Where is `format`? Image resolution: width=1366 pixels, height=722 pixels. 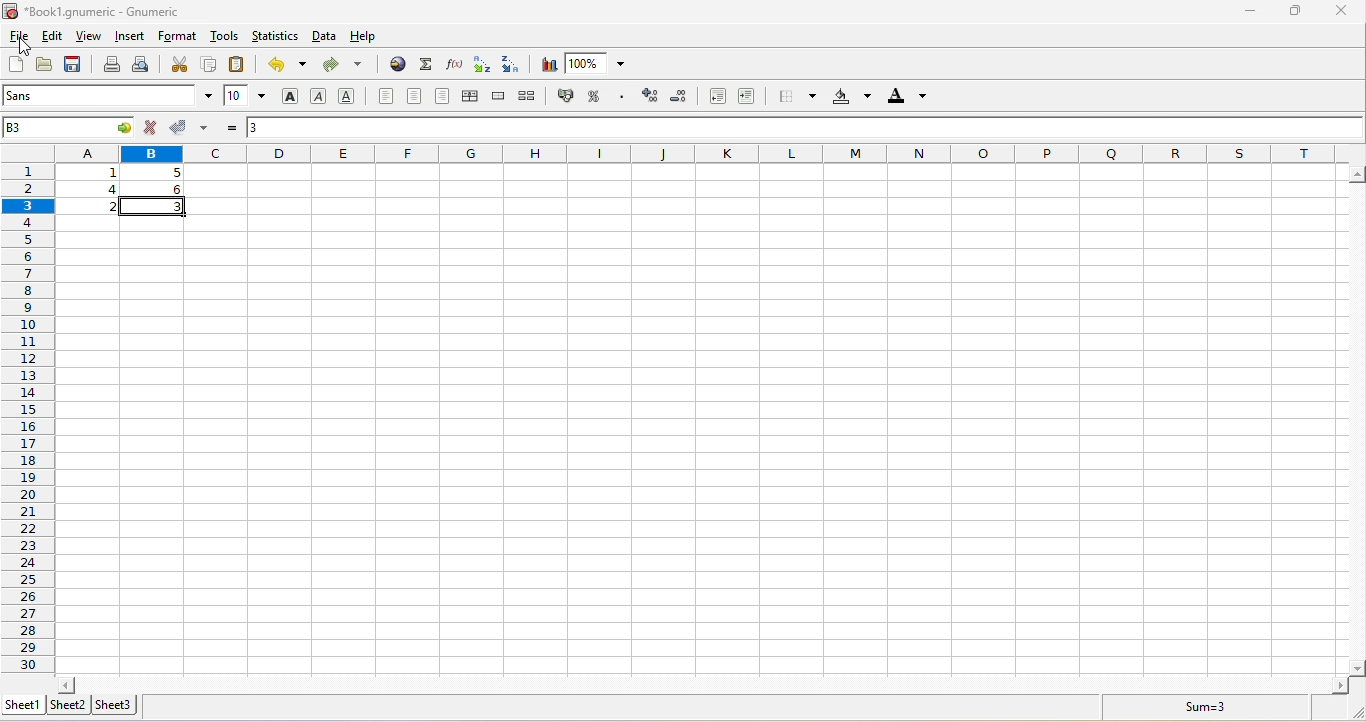
format is located at coordinates (180, 38).